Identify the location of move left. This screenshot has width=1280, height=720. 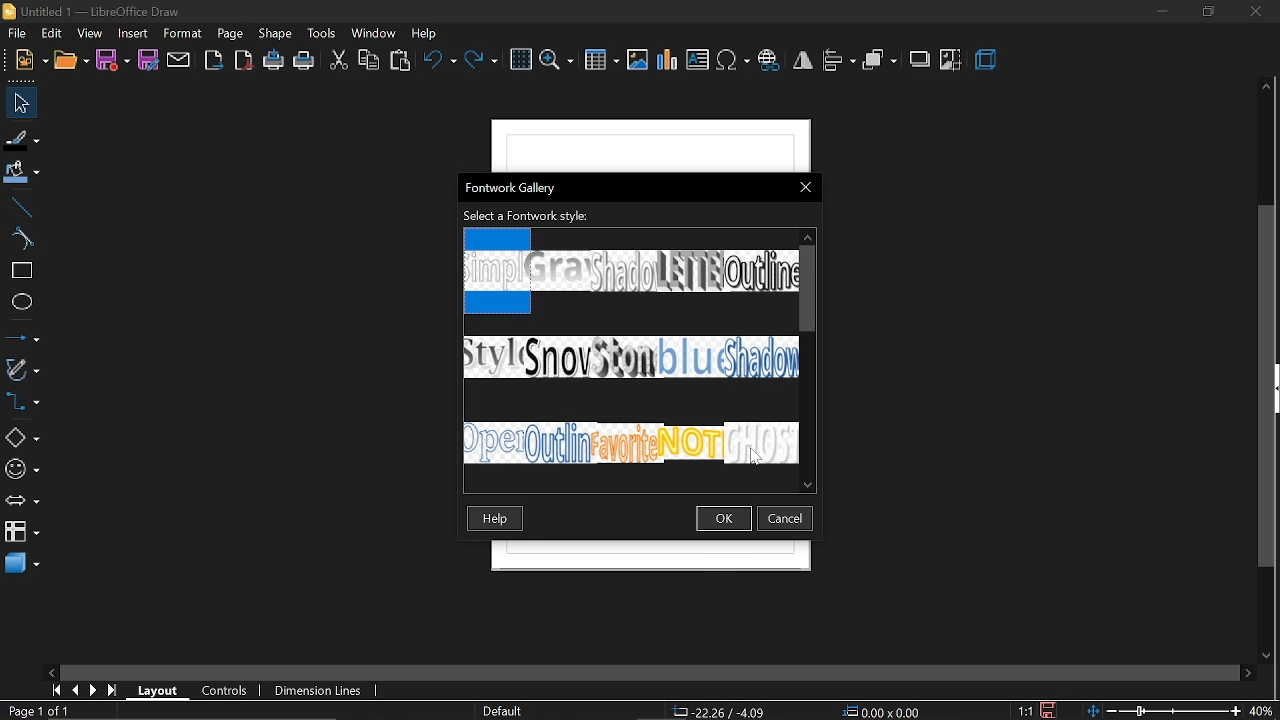
(51, 672).